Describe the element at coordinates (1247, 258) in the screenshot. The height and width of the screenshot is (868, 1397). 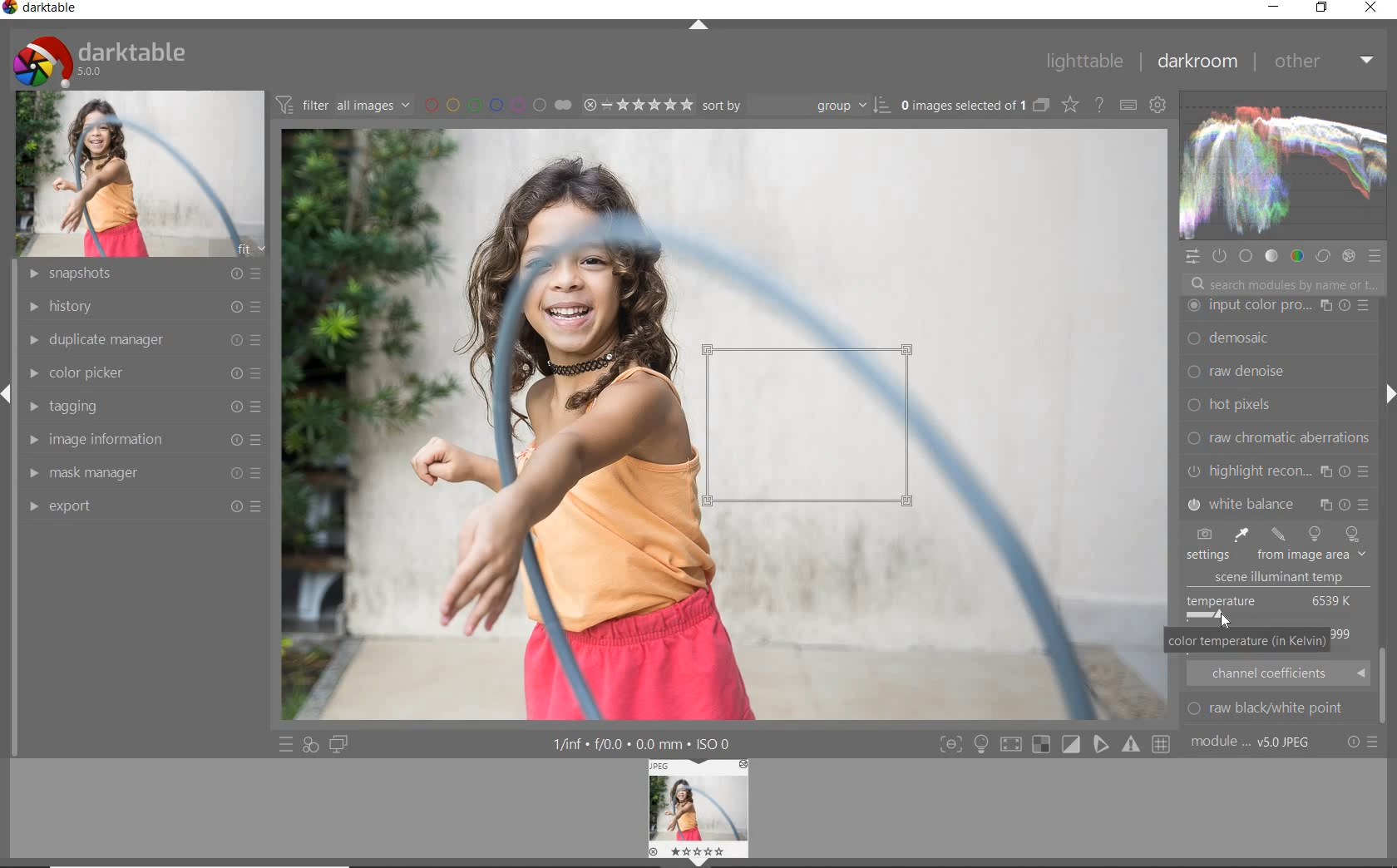
I see `base` at that location.